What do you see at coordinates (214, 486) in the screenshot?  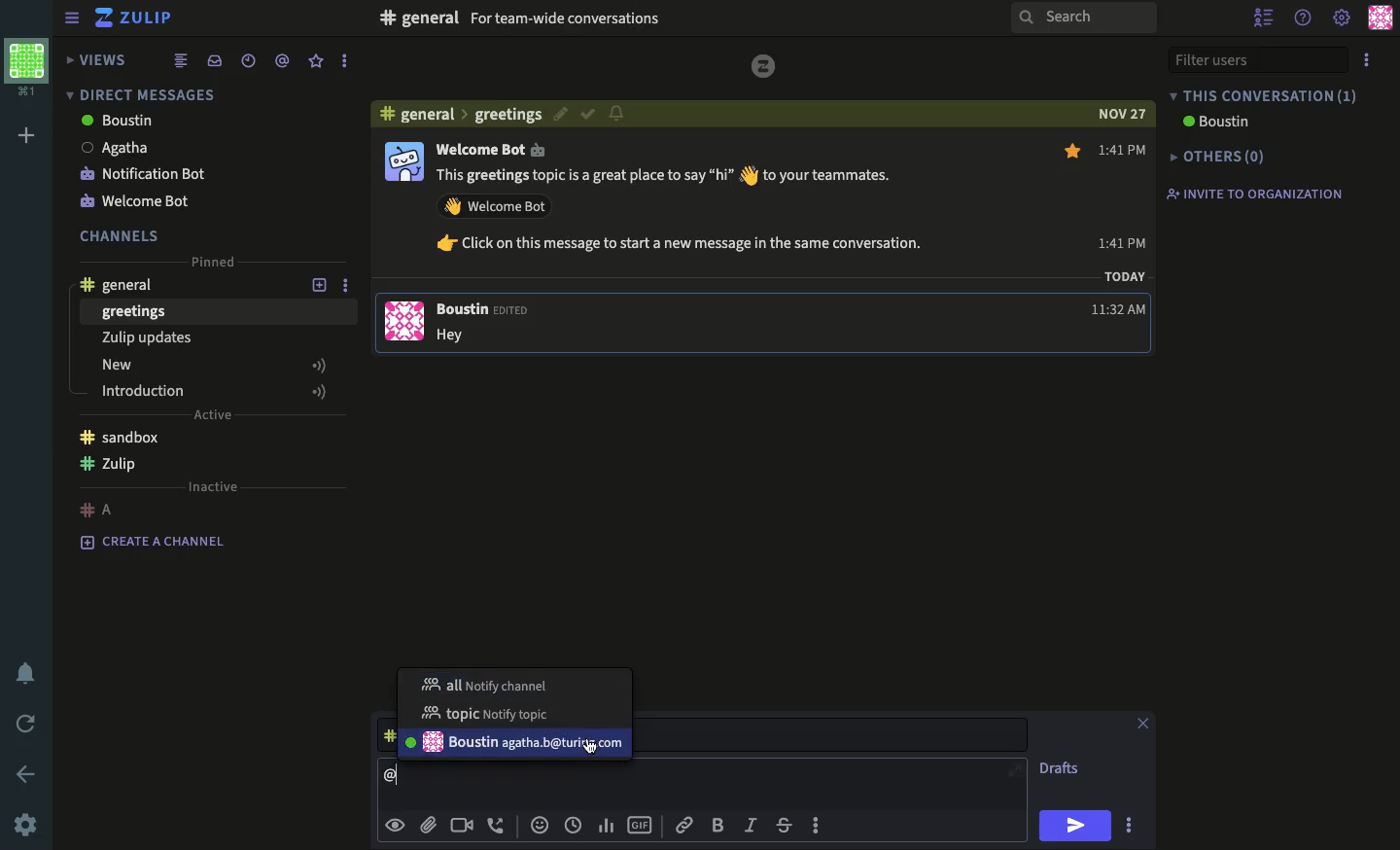 I see `inactive` at bounding box center [214, 486].